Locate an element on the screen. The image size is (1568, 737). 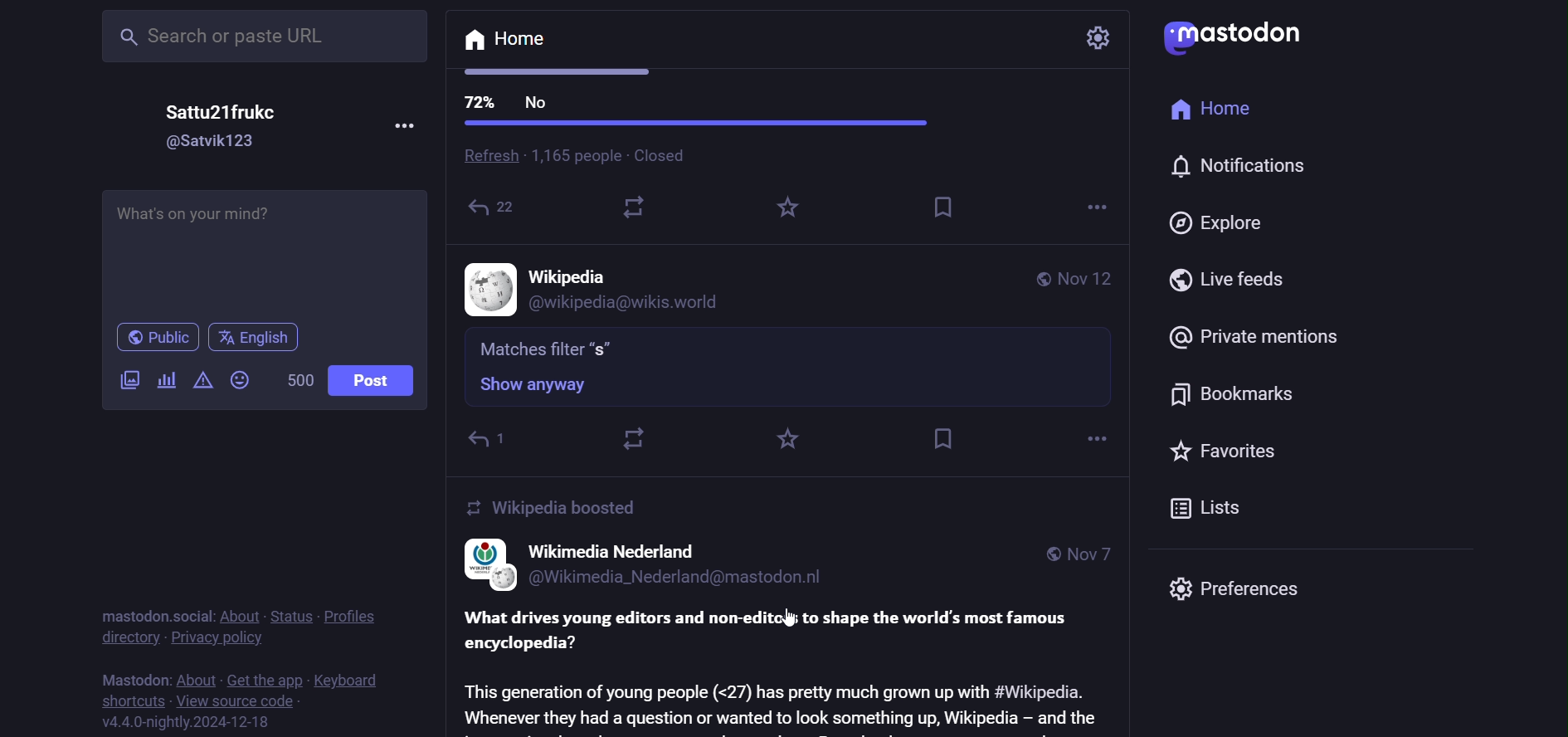
logo is located at coordinates (481, 564).